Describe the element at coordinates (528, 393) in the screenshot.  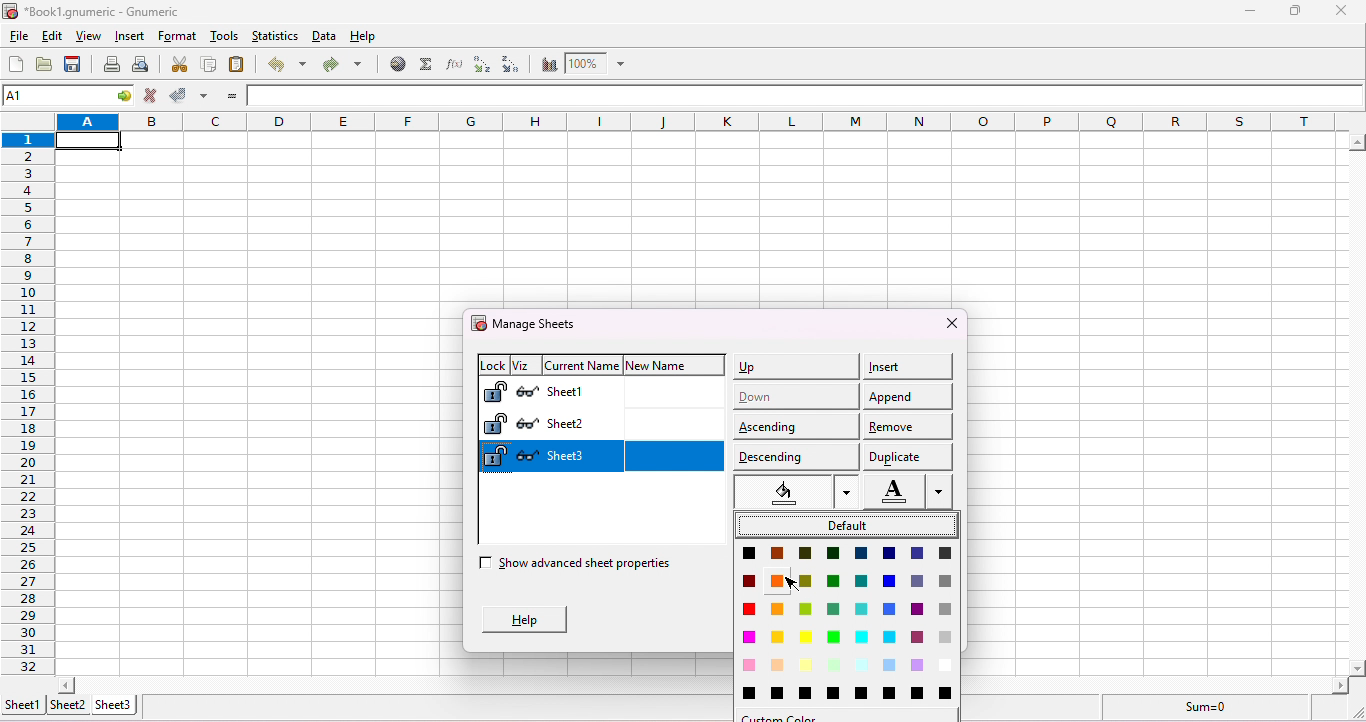
I see `Hide sheet 1` at that location.